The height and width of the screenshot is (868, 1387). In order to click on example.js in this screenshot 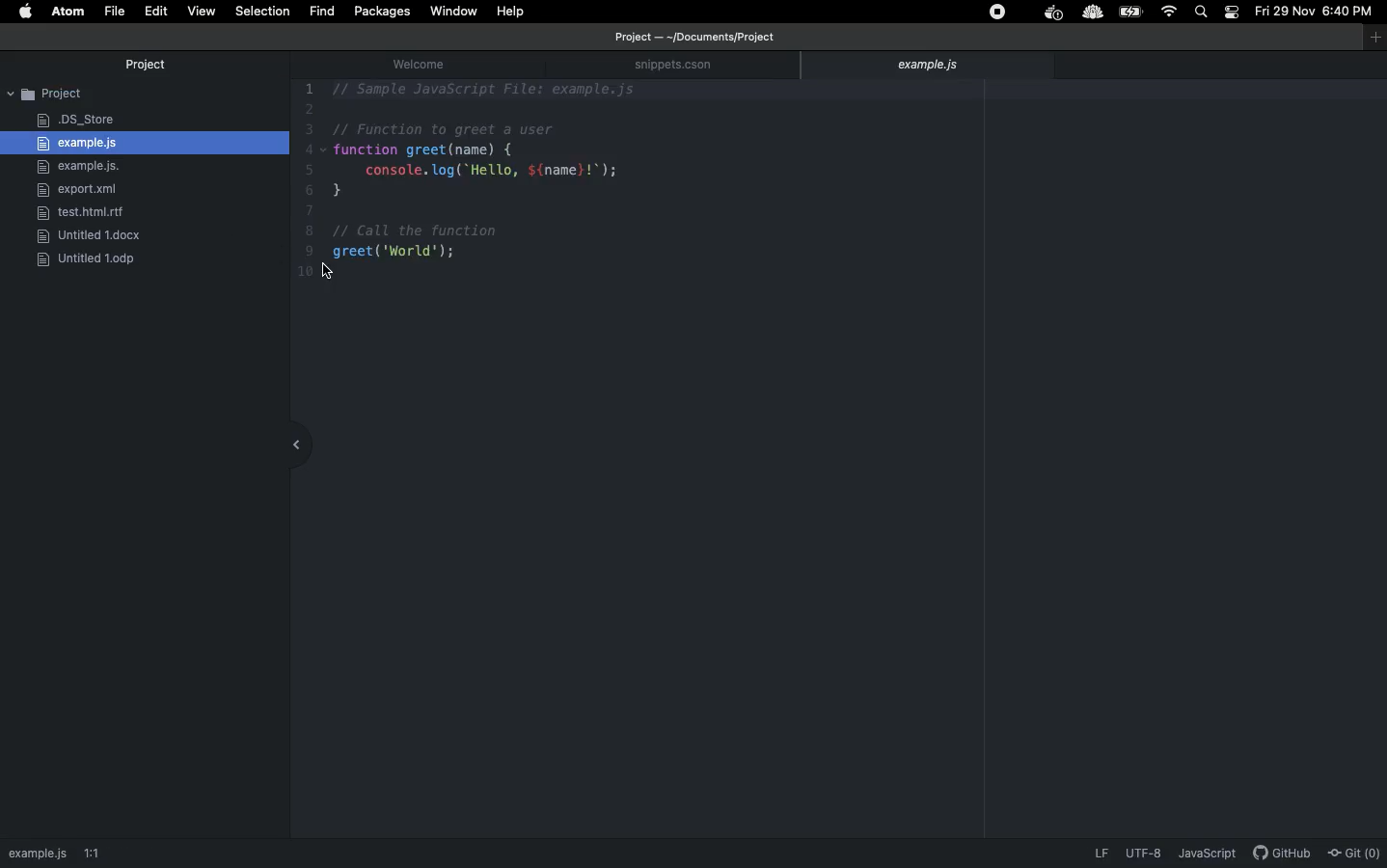, I will do `click(932, 65)`.